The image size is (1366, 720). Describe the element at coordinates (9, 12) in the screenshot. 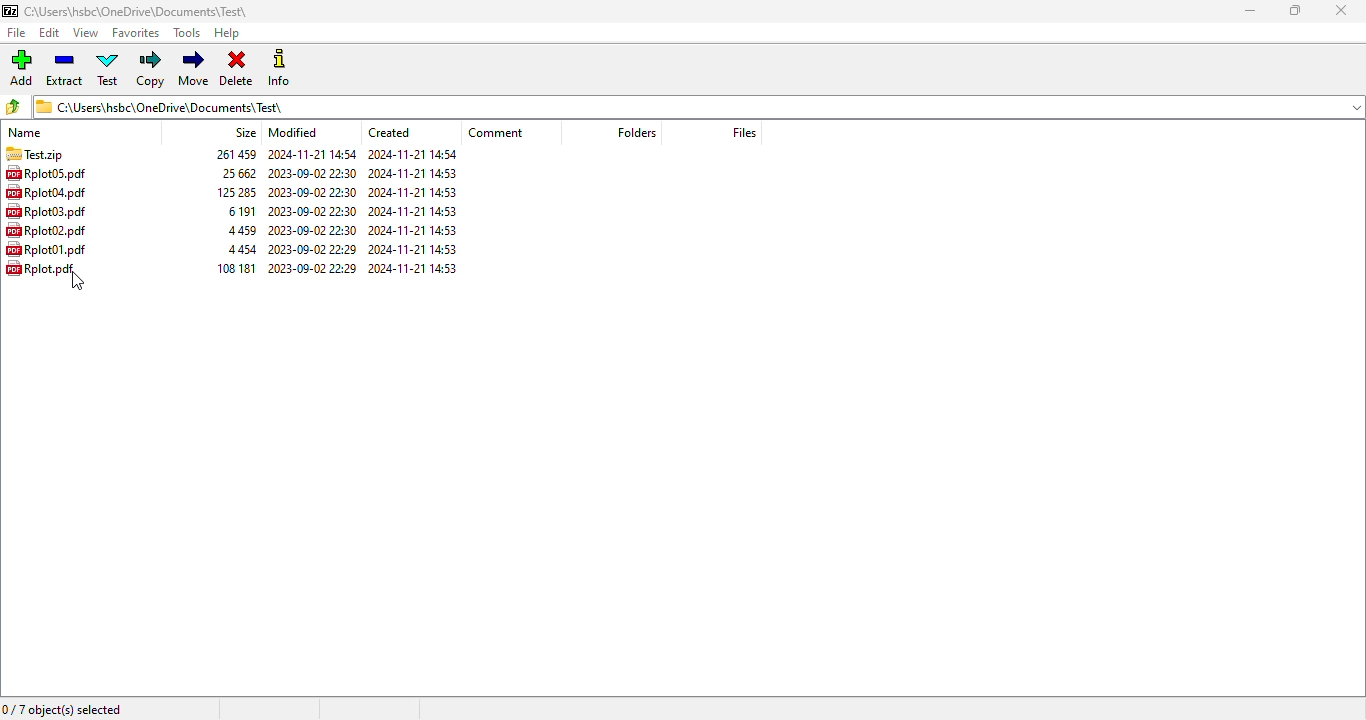

I see `7 ZIP logo` at that location.